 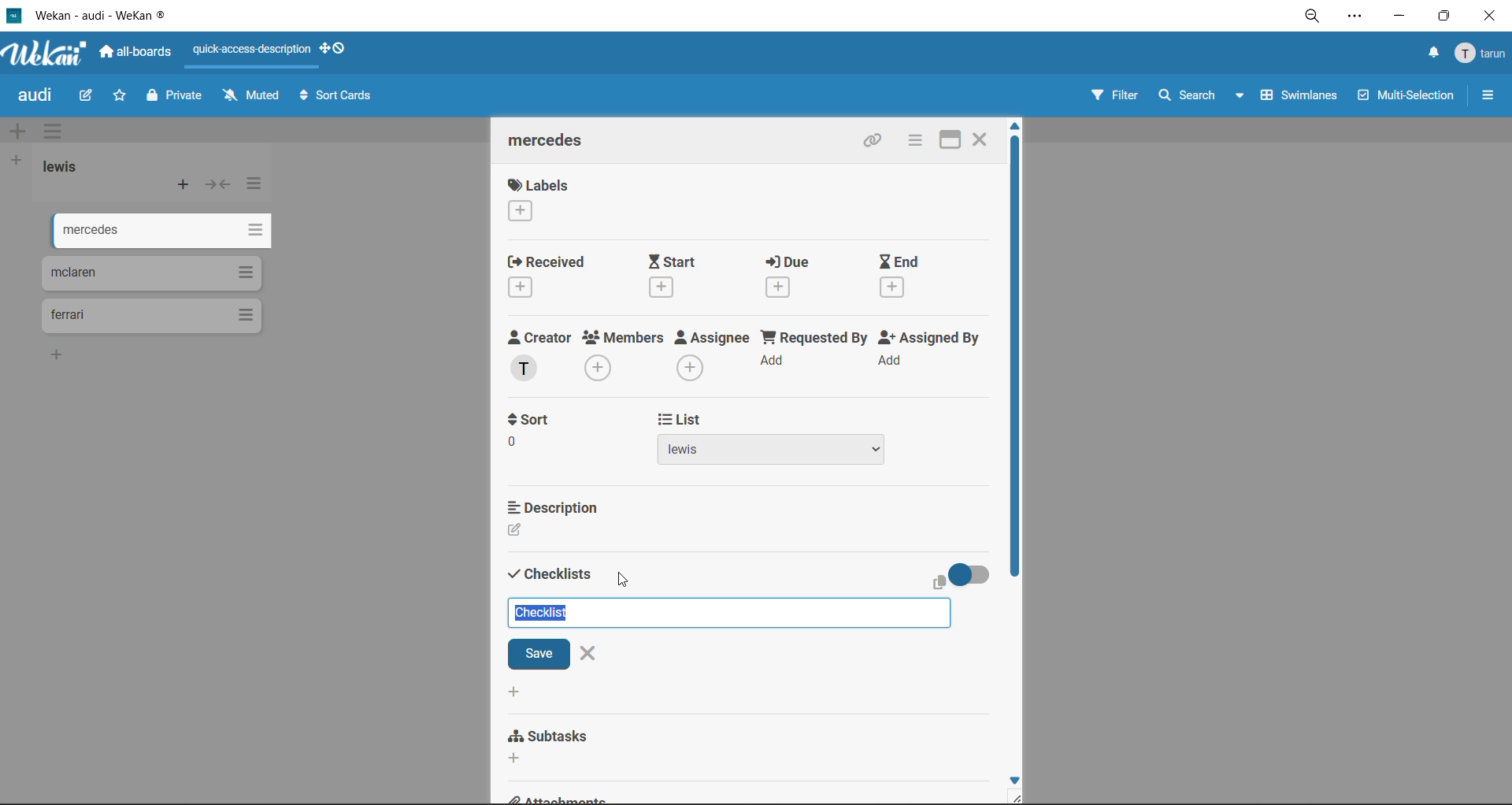 I want to click on quick access description, so click(x=256, y=50).